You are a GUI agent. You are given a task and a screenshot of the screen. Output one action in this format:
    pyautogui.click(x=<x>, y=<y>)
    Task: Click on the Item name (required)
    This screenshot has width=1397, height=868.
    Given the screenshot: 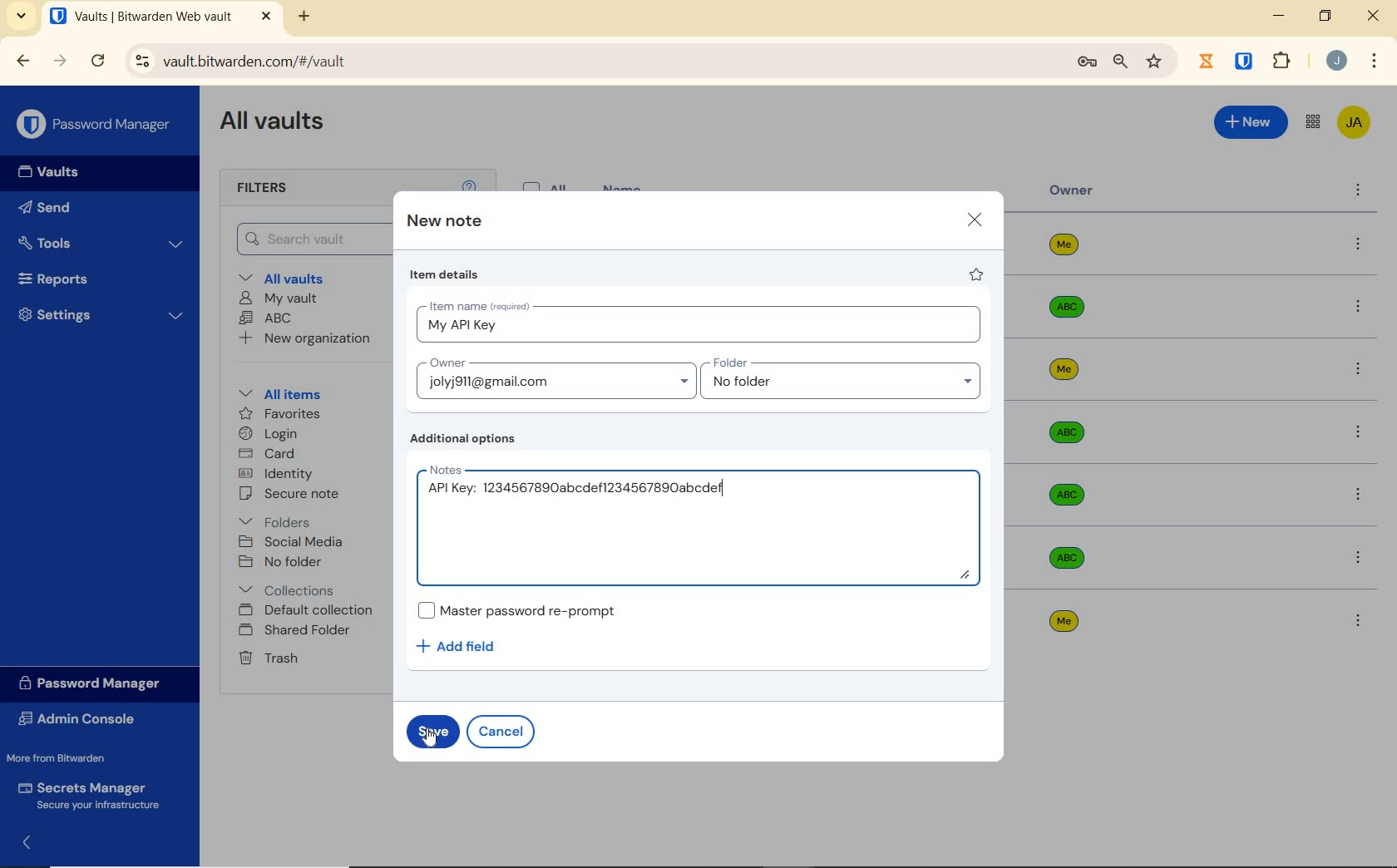 What is the action you would take?
    pyautogui.click(x=478, y=303)
    